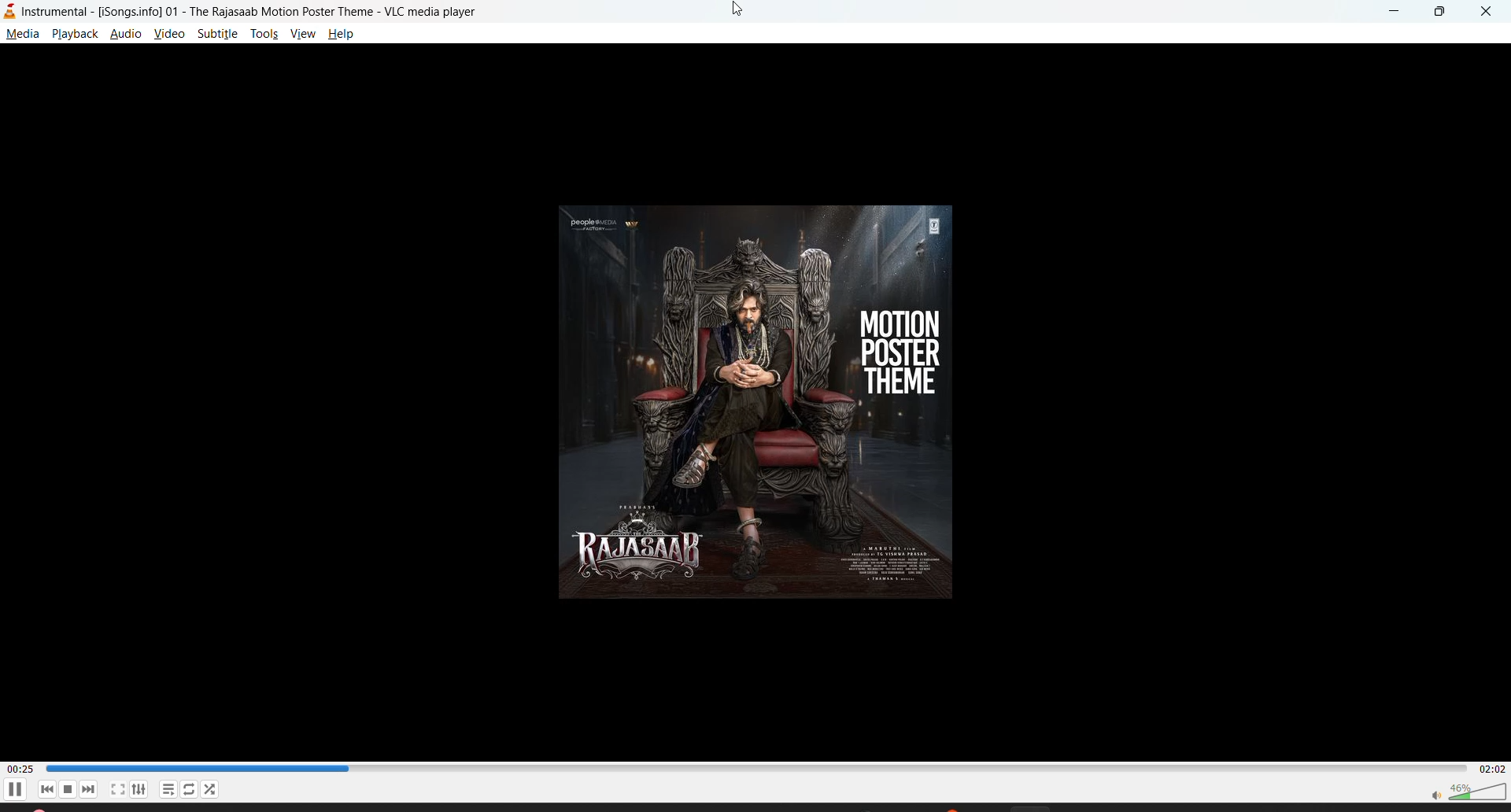 The height and width of the screenshot is (812, 1511). Describe the element at coordinates (765, 398) in the screenshot. I see `thumbnail` at that location.